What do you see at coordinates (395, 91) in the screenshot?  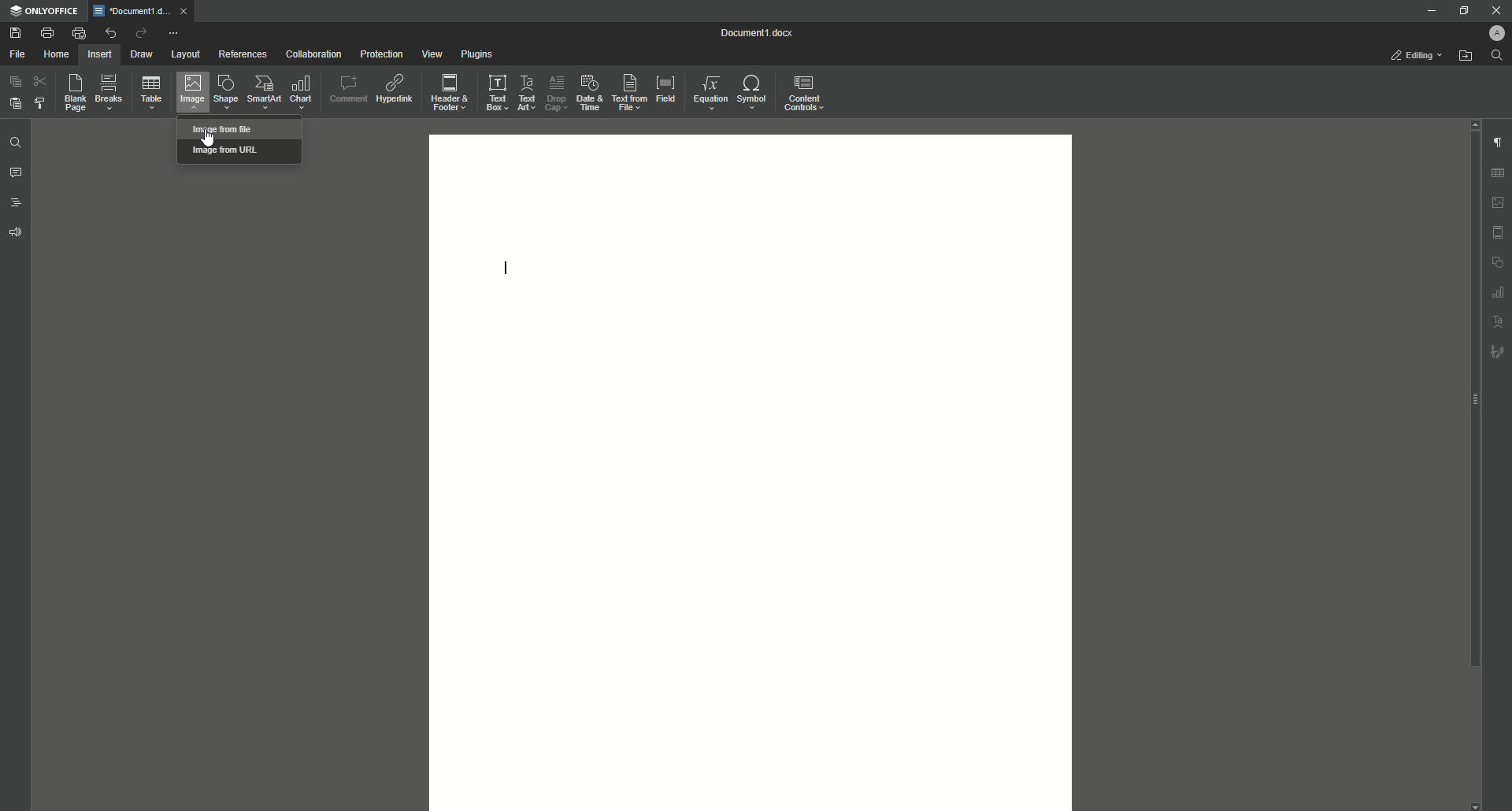 I see `Hyperlink` at bounding box center [395, 91].